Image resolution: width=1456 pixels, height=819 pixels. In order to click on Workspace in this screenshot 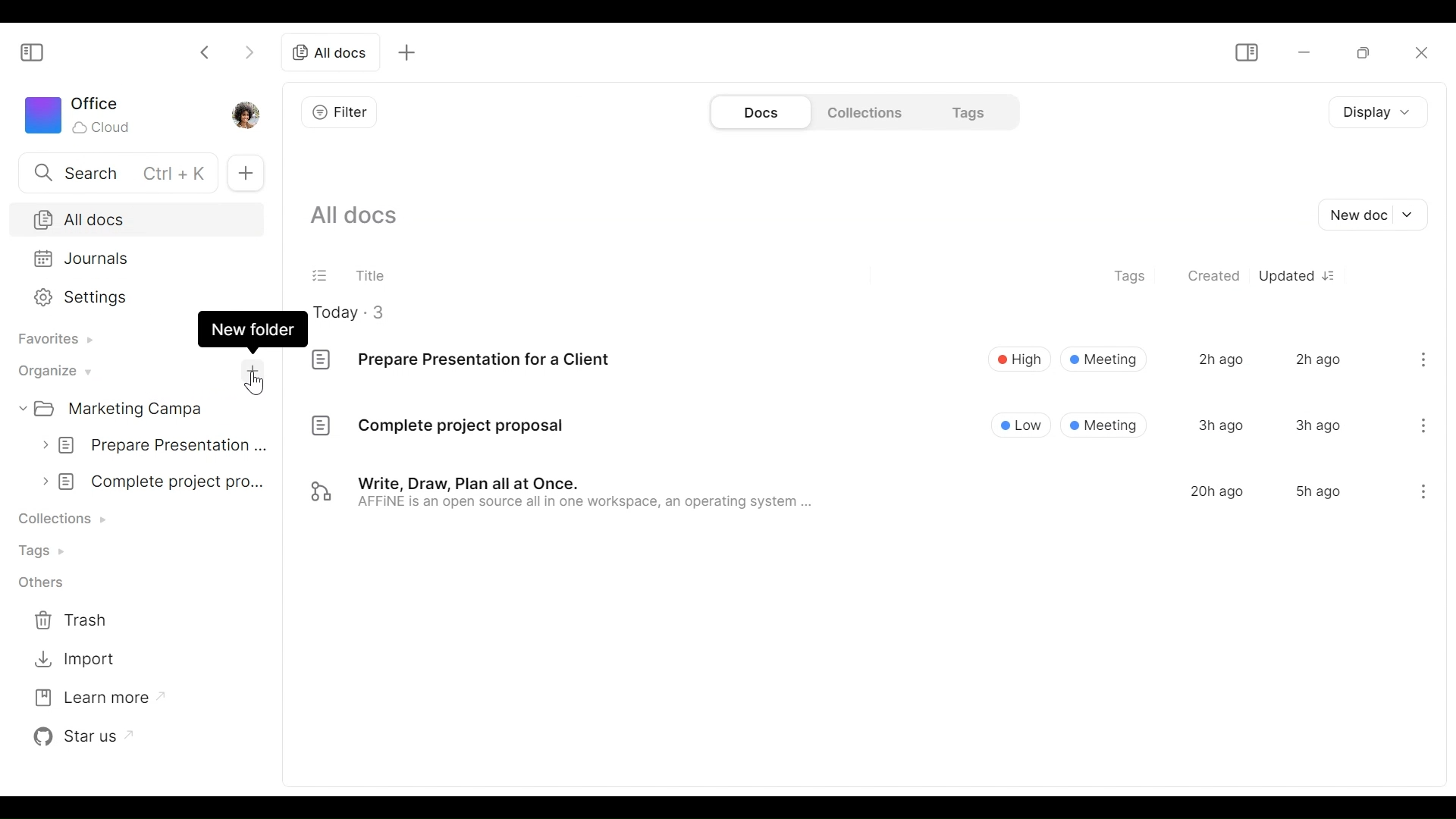, I will do `click(81, 115)`.